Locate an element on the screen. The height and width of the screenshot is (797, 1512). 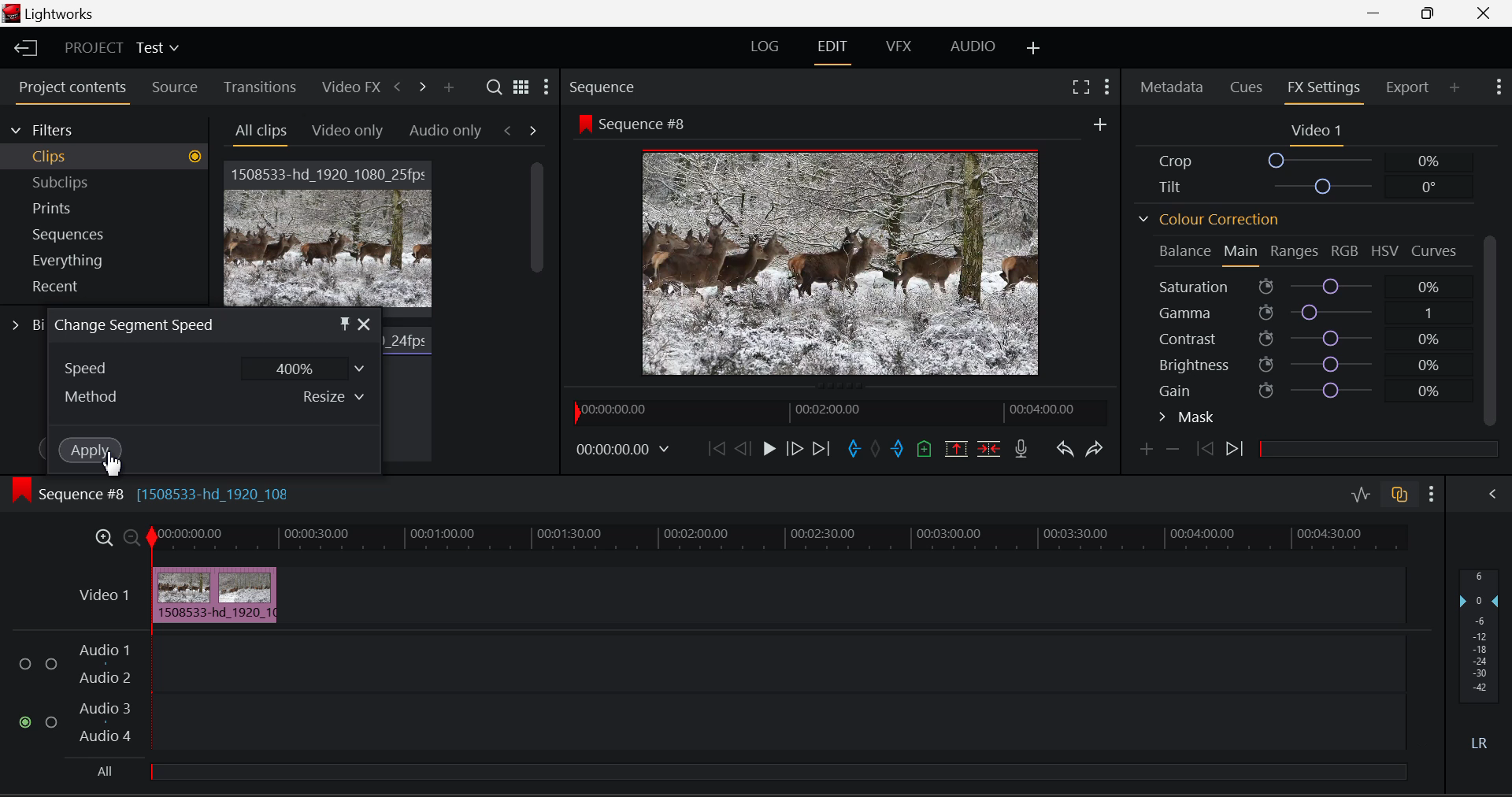
Video Frame Time is located at coordinates (621, 447).